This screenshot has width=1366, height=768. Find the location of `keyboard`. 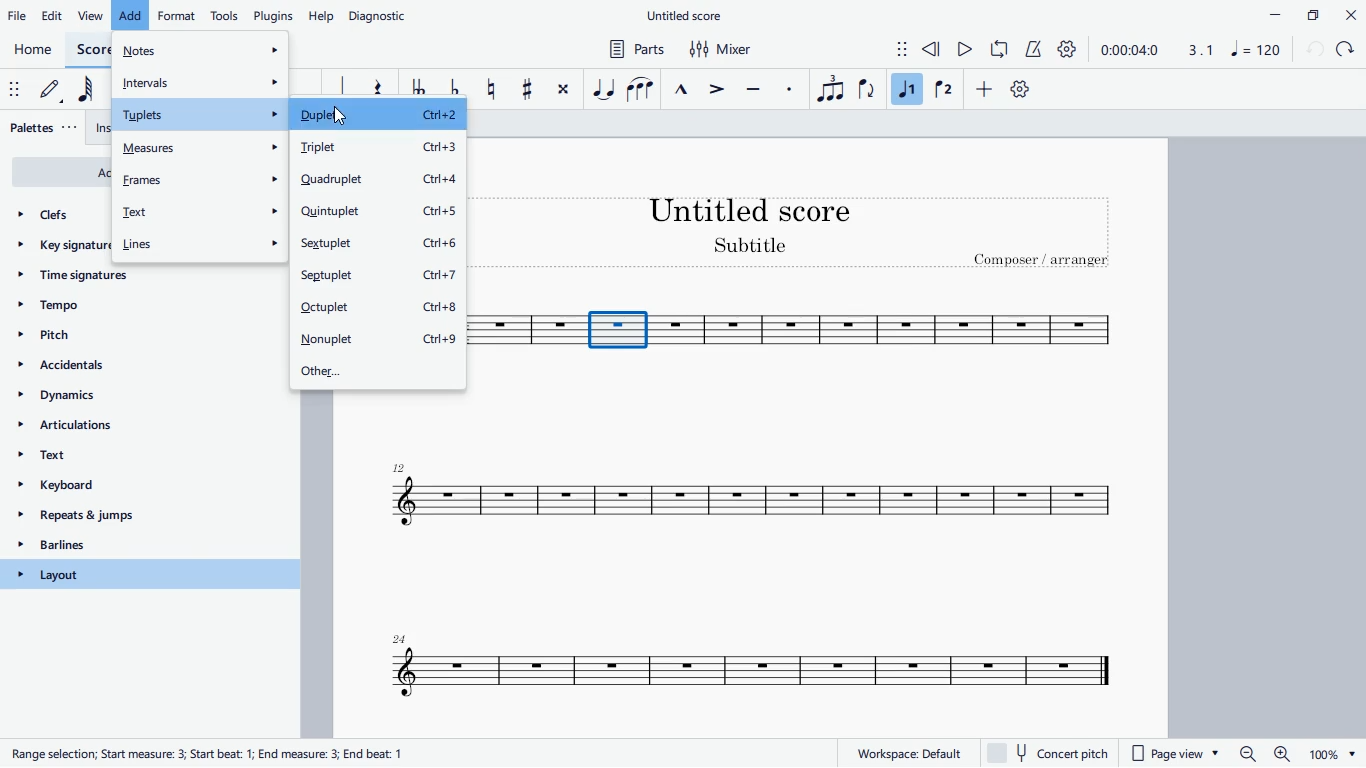

keyboard is located at coordinates (139, 488).